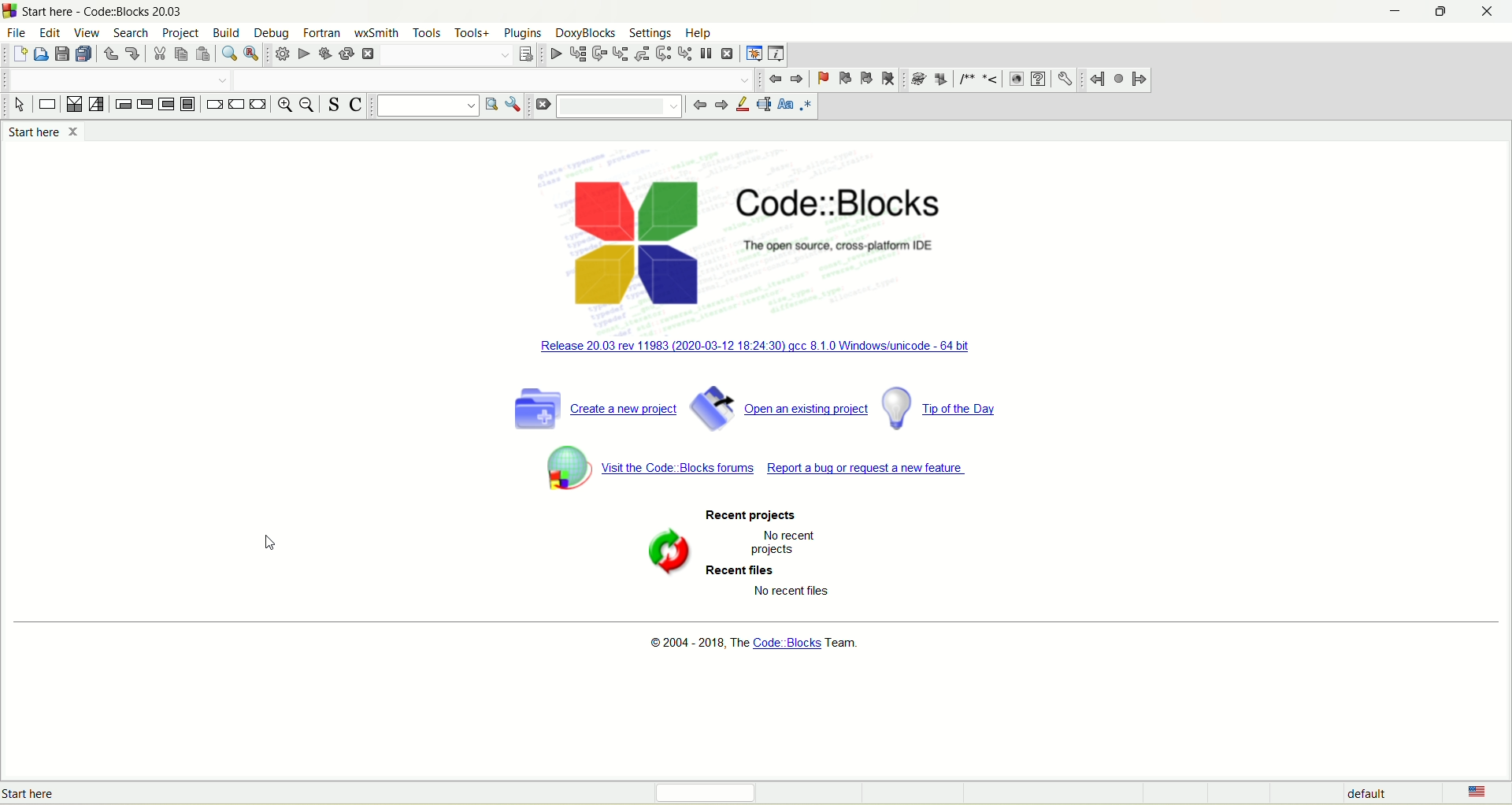 The height and width of the screenshot is (805, 1512). What do you see at coordinates (663, 53) in the screenshot?
I see `next instruction` at bounding box center [663, 53].